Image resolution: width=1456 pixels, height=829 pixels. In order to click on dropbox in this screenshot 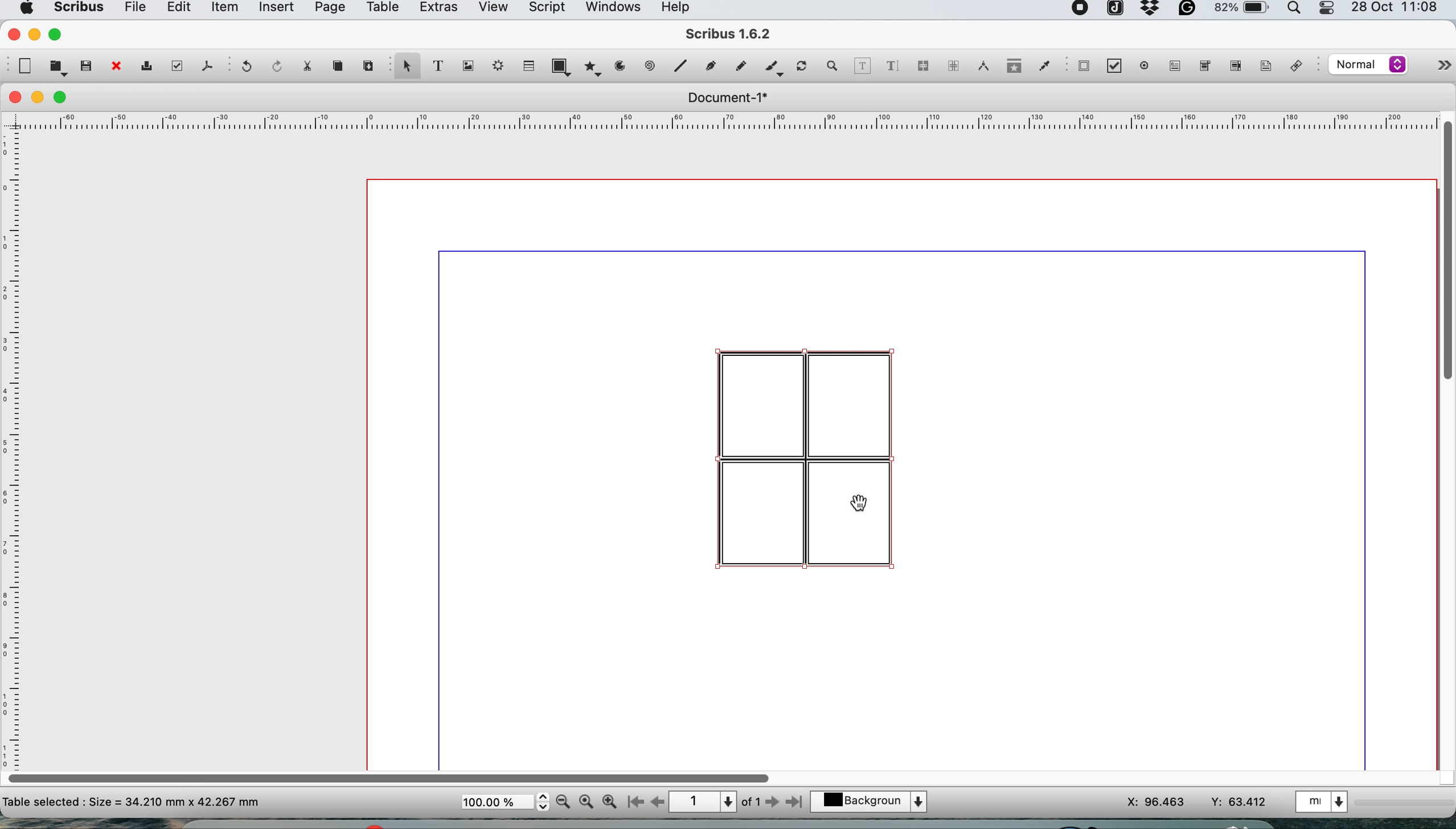, I will do `click(1151, 13)`.